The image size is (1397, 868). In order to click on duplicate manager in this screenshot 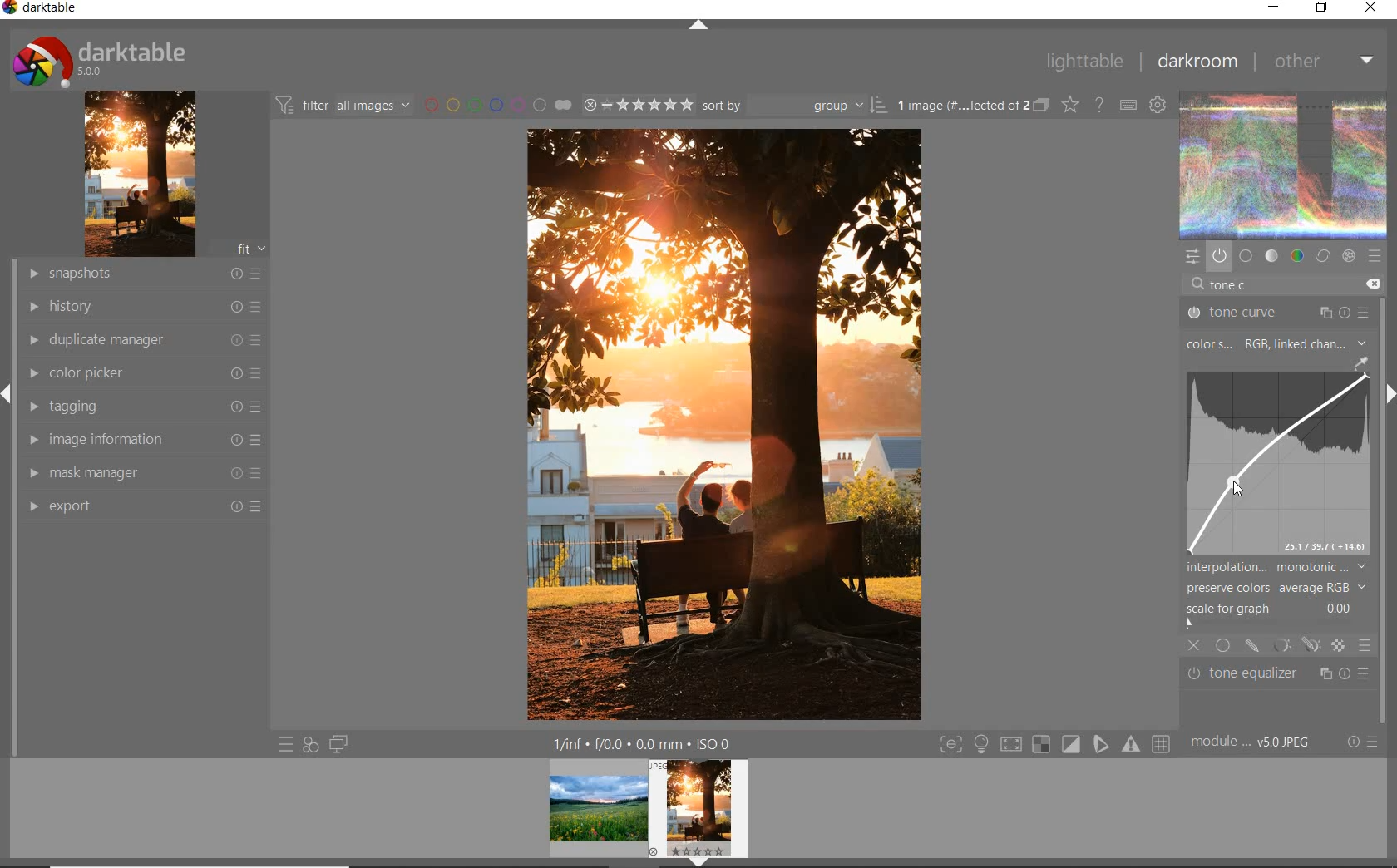, I will do `click(137, 340)`.